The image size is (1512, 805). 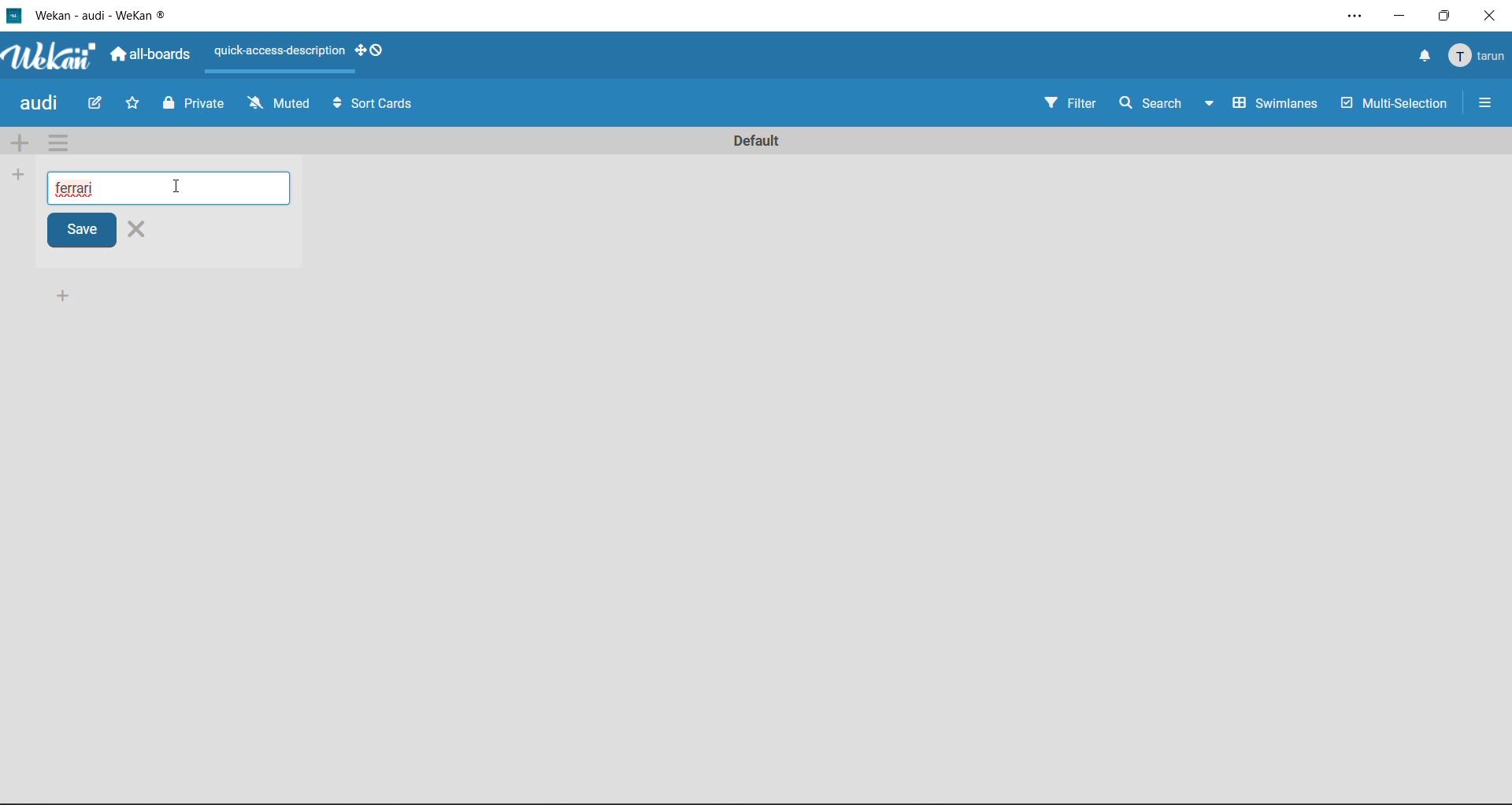 What do you see at coordinates (1492, 101) in the screenshot?
I see `More Options` at bounding box center [1492, 101].